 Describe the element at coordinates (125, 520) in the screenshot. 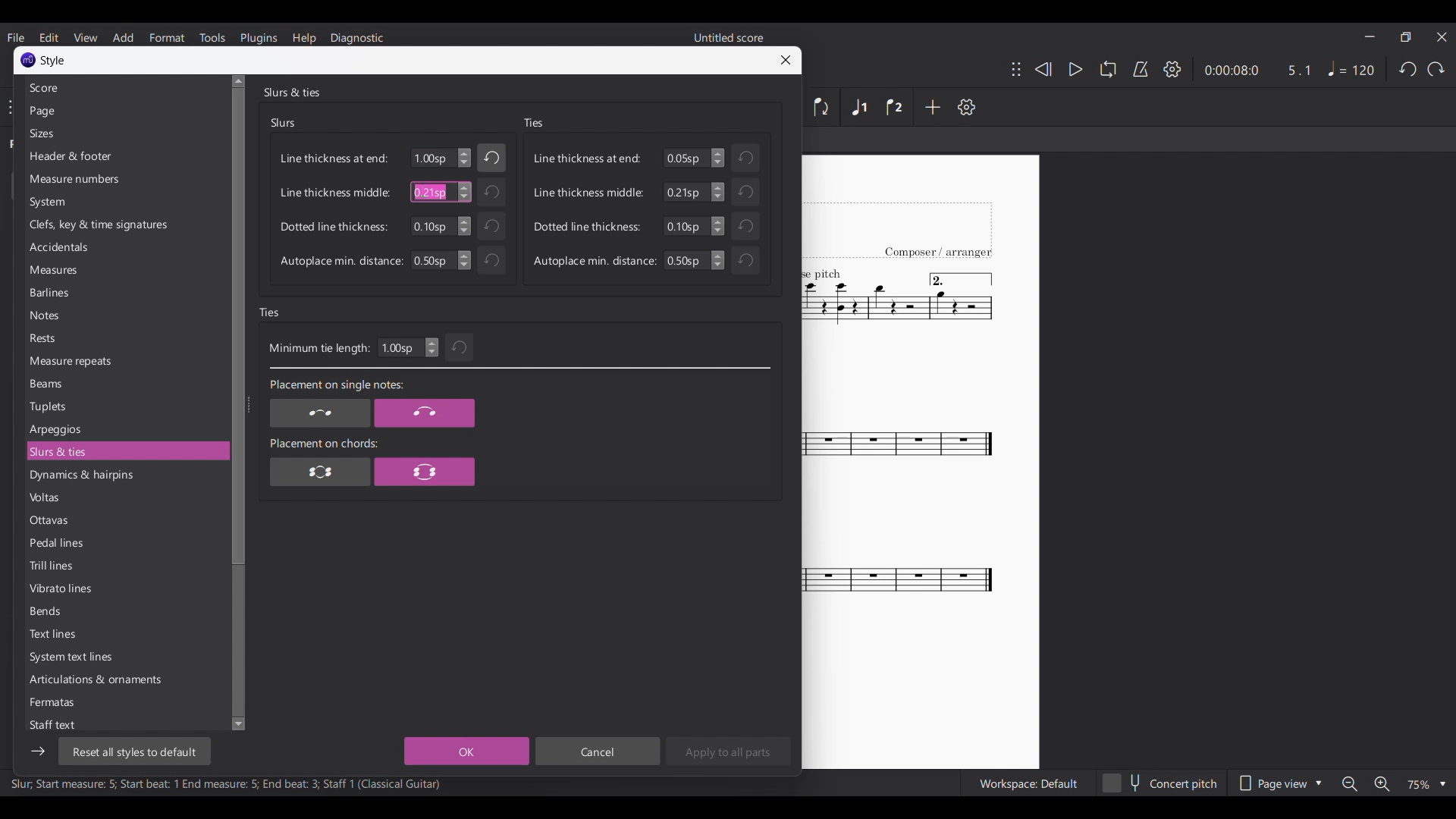

I see `Ottavas` at that location.